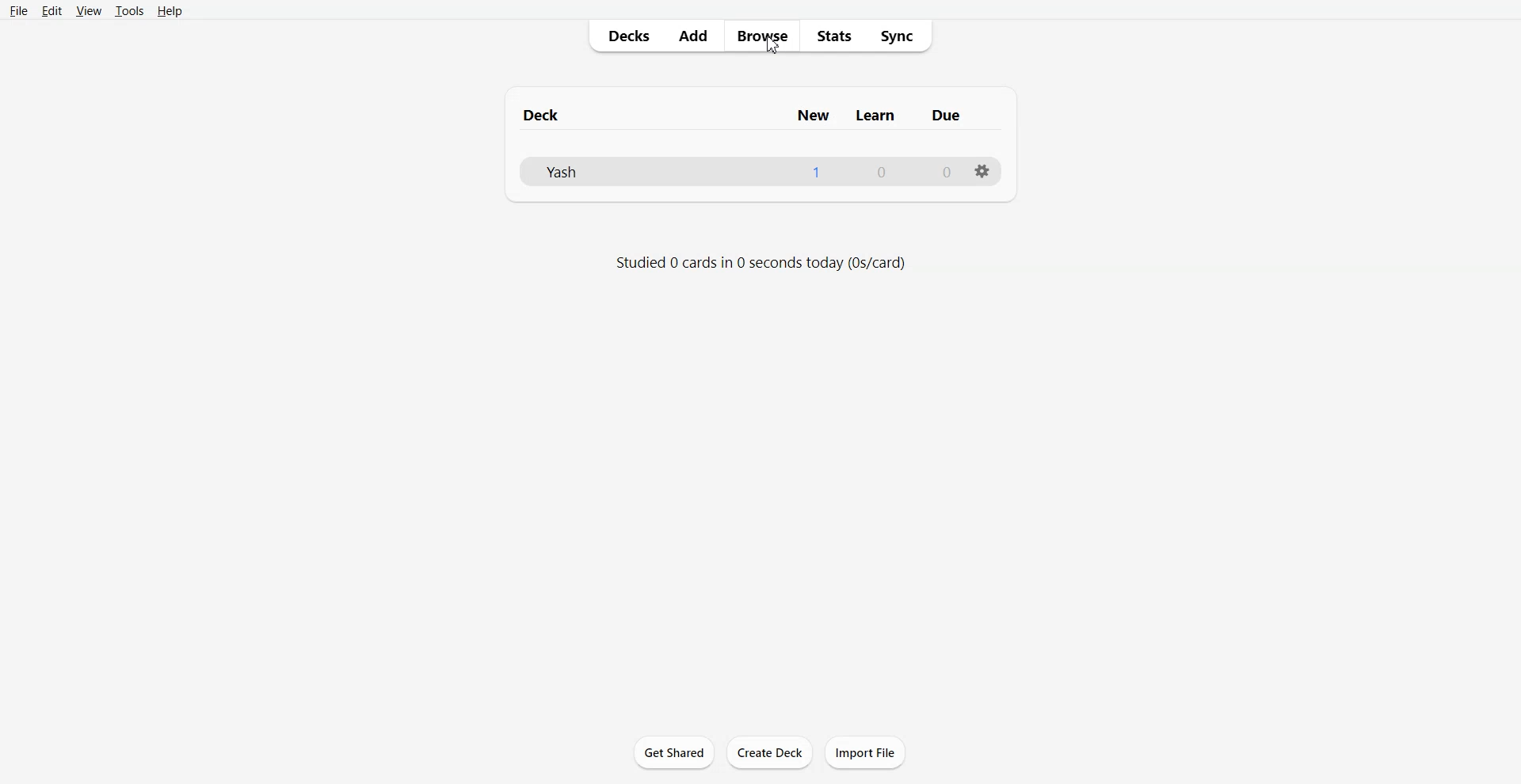  I want to click on Help, so click(170, 10).